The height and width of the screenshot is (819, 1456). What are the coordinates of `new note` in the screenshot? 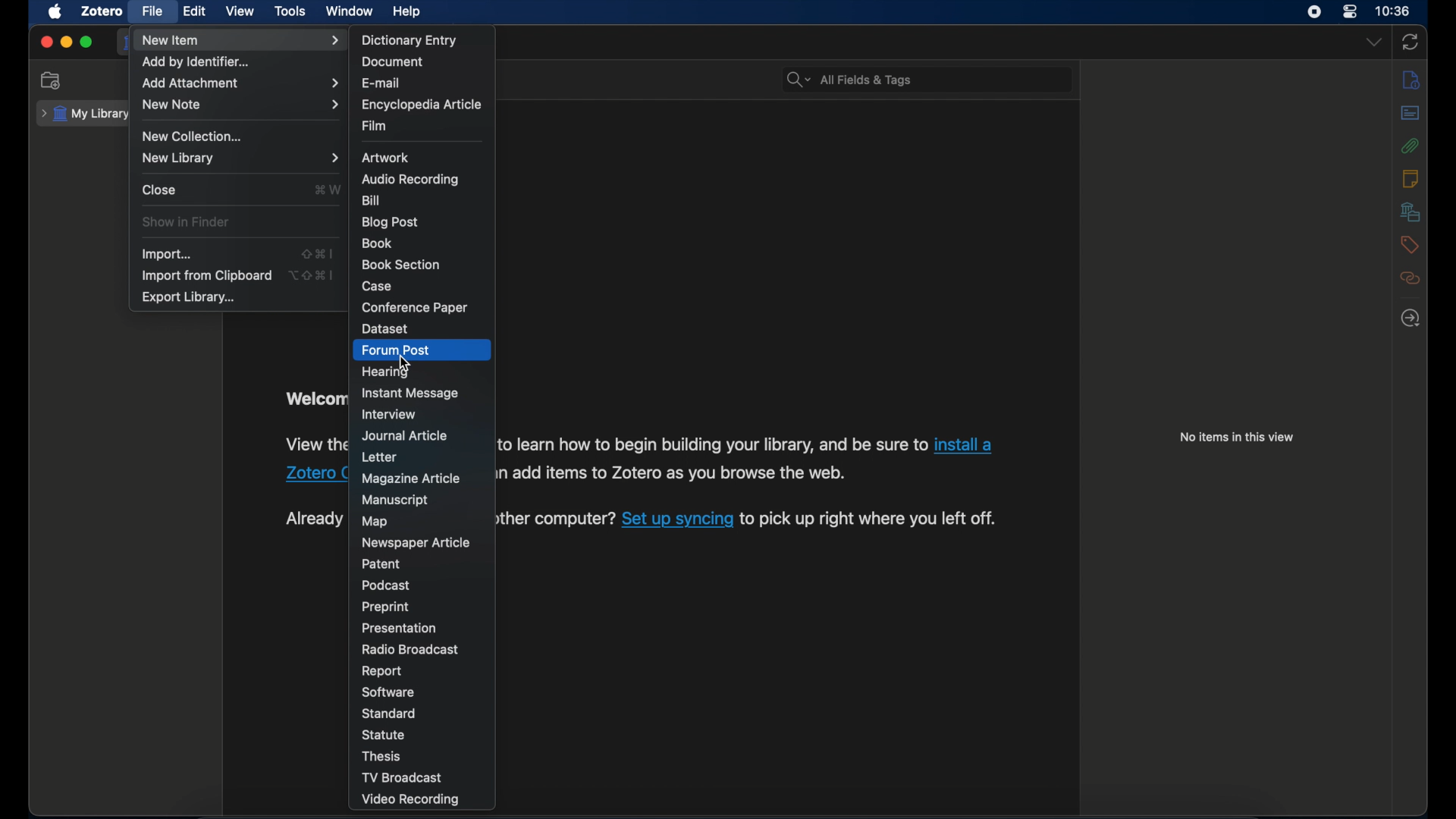 It's located at (242, 105).